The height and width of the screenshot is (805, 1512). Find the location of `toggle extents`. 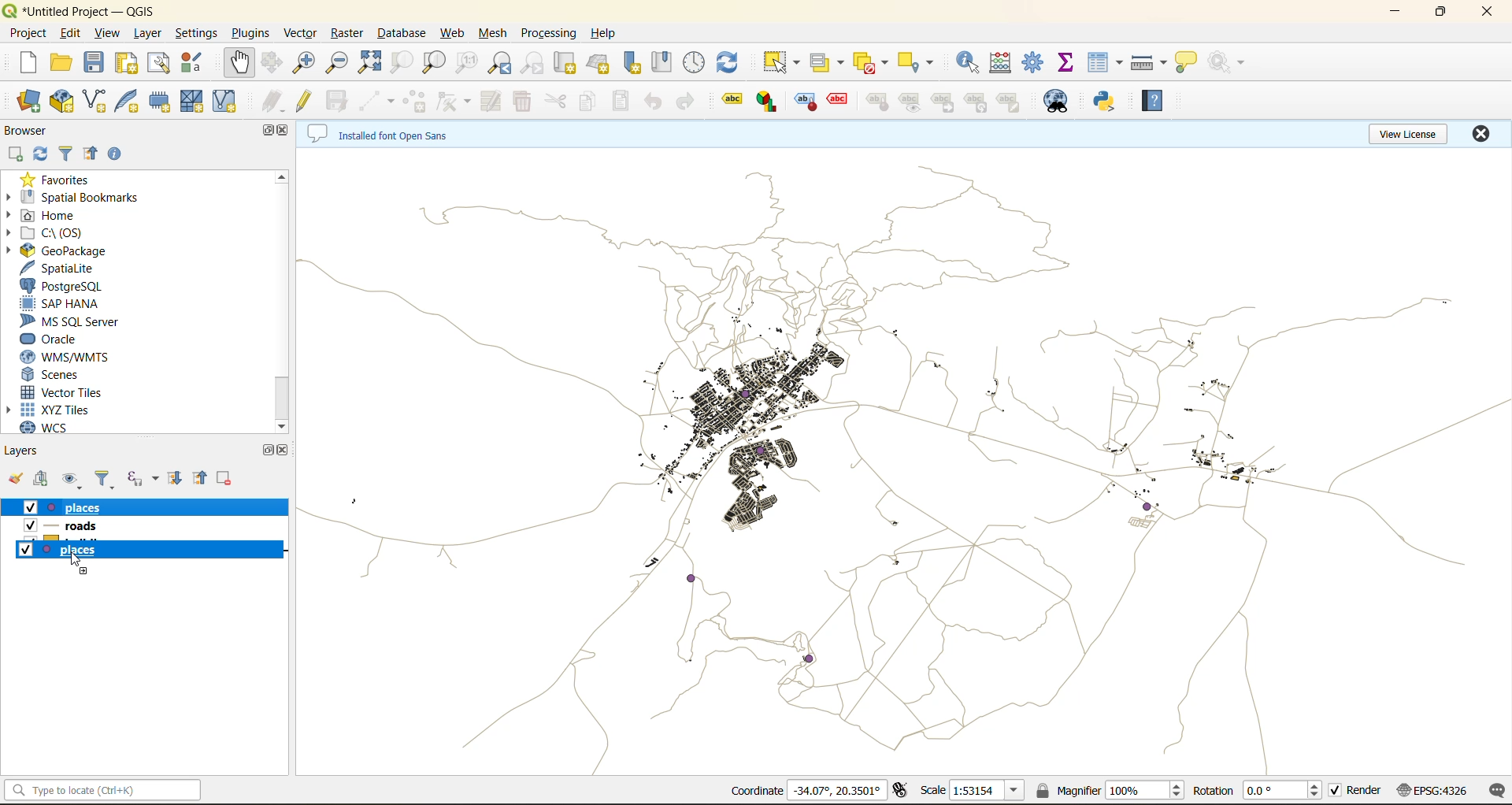

toggle extents is located at coordinates (899, 792).